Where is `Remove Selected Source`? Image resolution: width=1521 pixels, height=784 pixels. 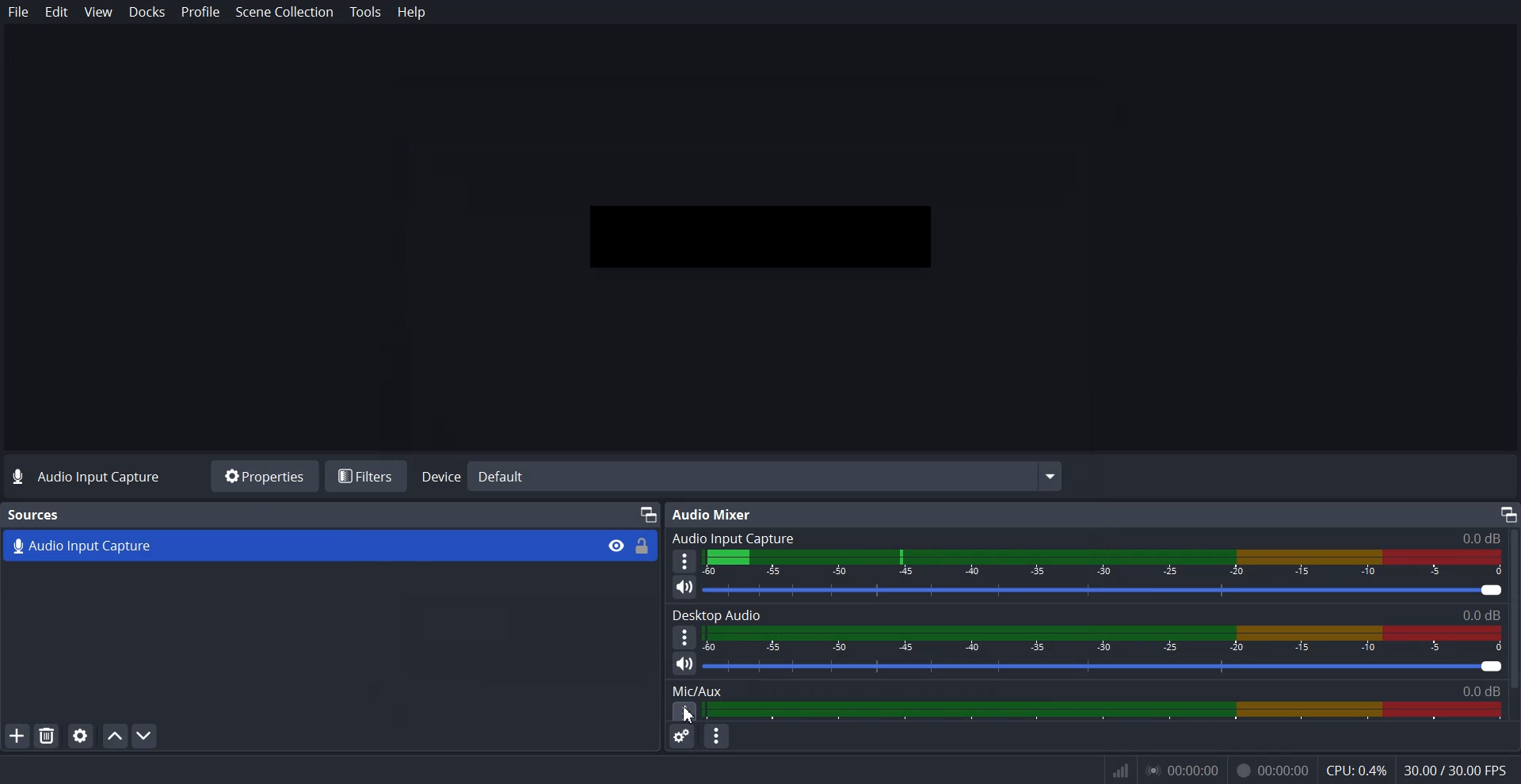
Remove Selected Source is located at coordinates (47, 735).